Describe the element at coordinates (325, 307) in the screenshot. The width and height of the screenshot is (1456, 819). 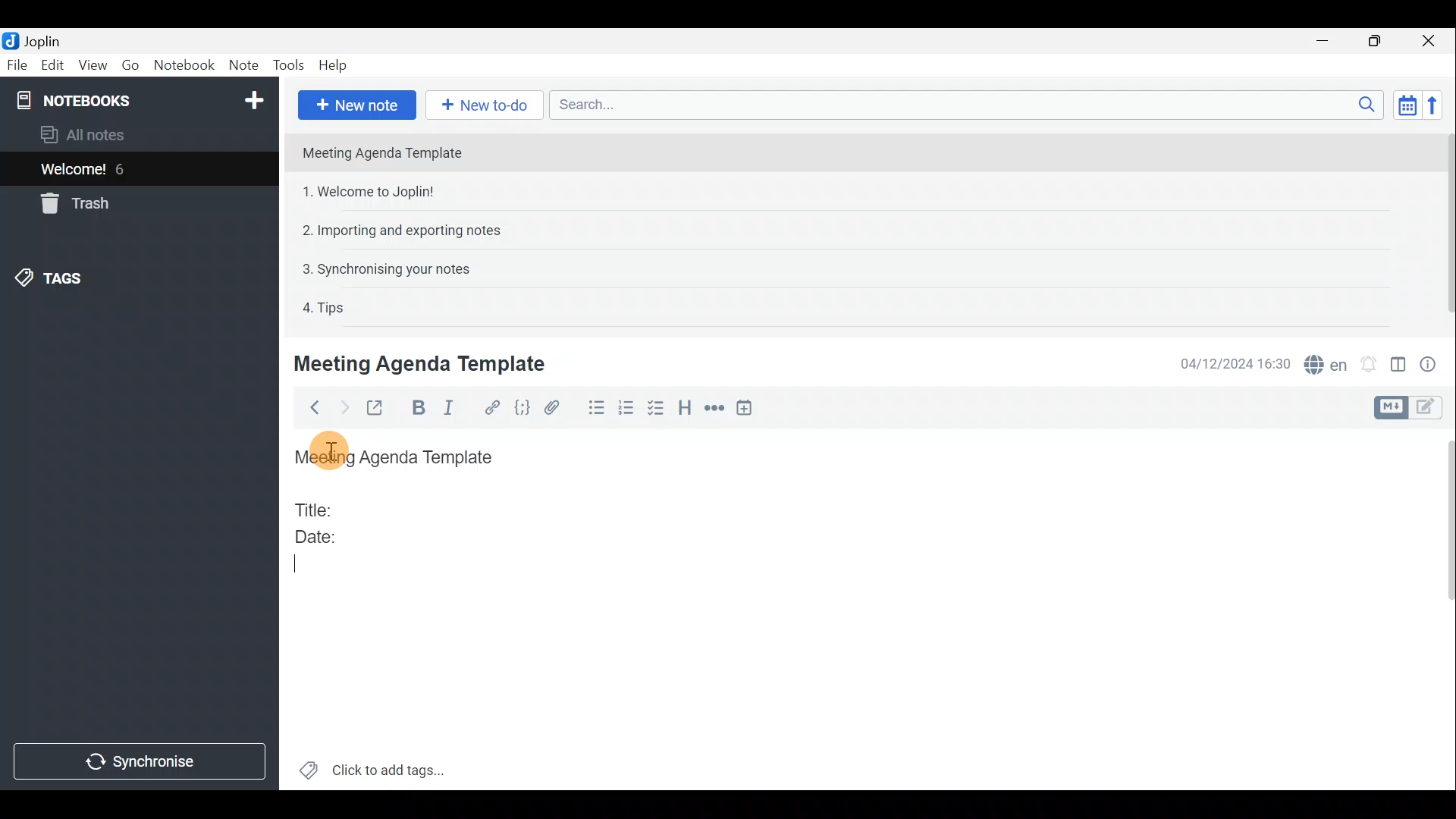
I see `4. Tips` at that location.